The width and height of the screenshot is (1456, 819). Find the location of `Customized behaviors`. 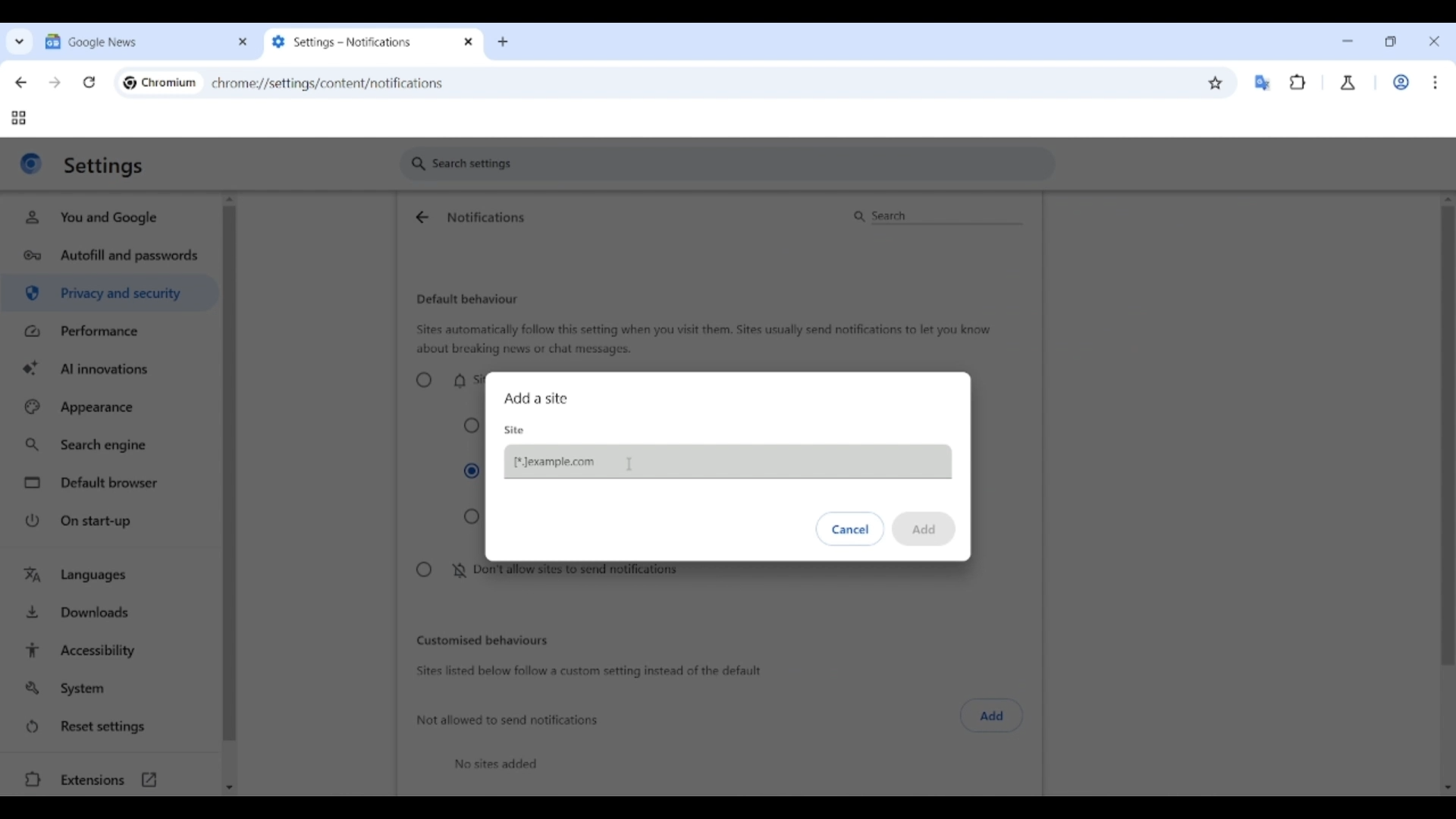

Customized behaviors is located at coordinates (482, 640).